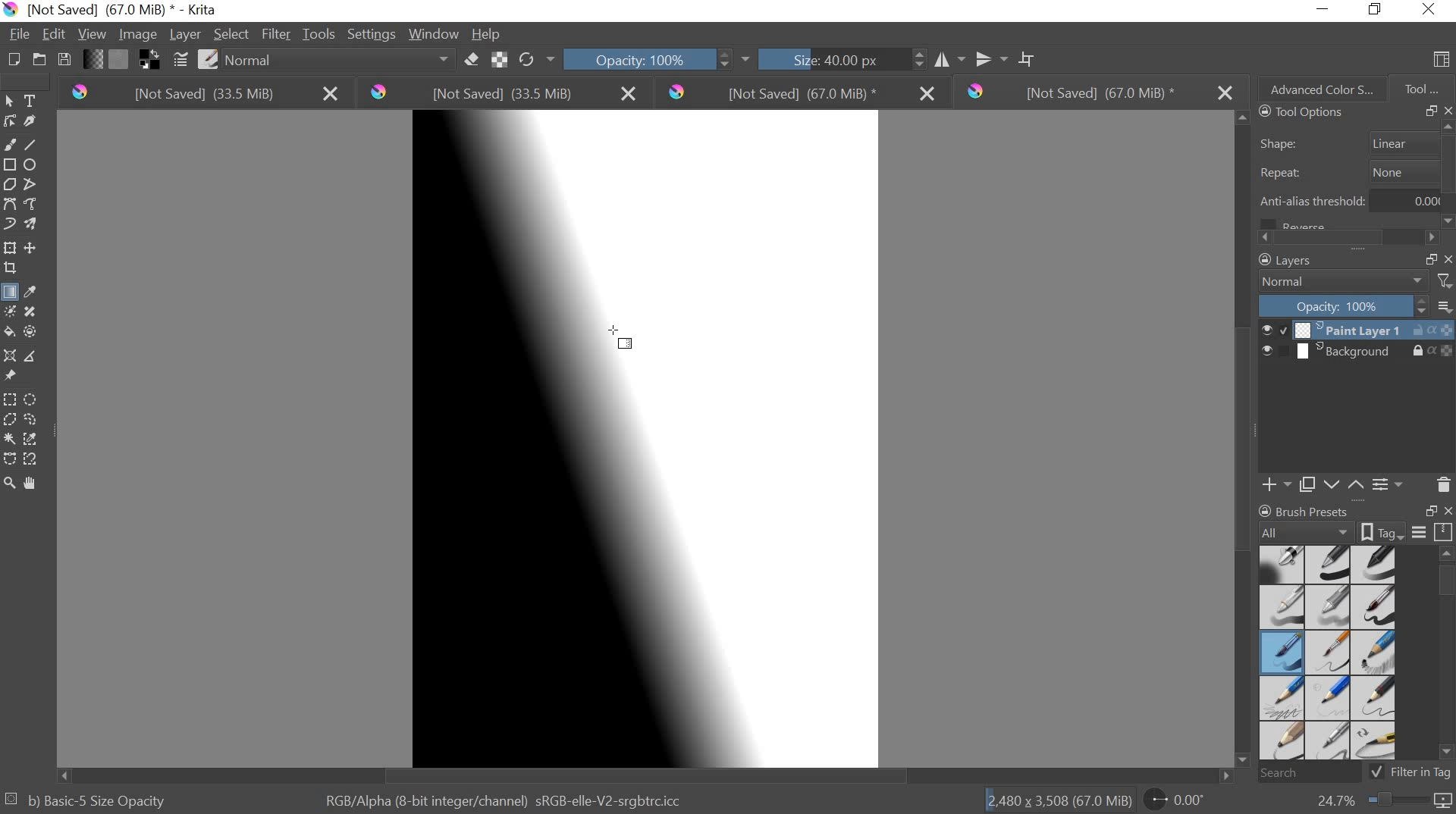  What do you see at coordinates (35, 310) in the screenshot?
I see `smart patch tool` at bounding box center [35, 310].